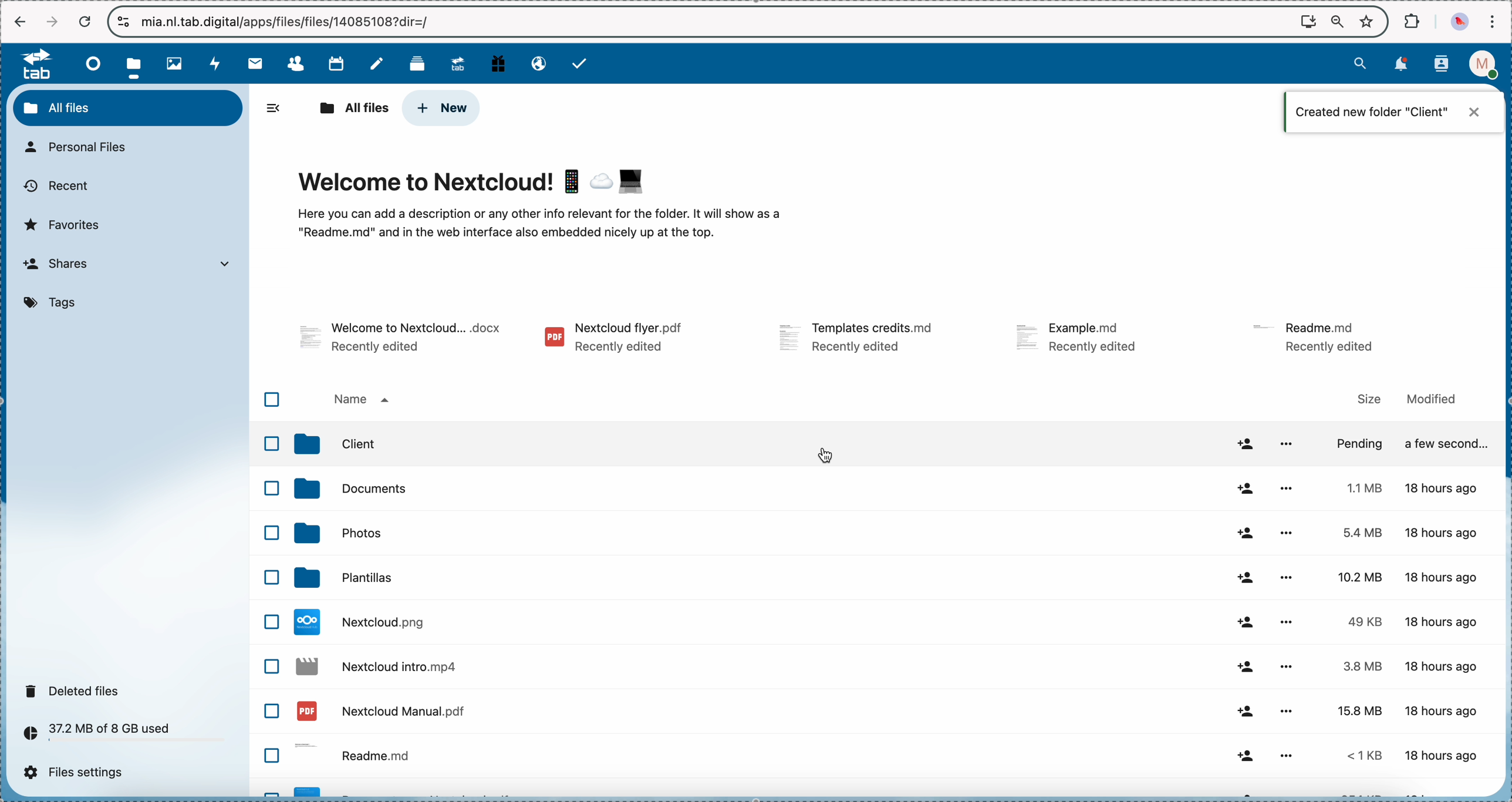  I want to click on checkbox list, so click(266, 587).